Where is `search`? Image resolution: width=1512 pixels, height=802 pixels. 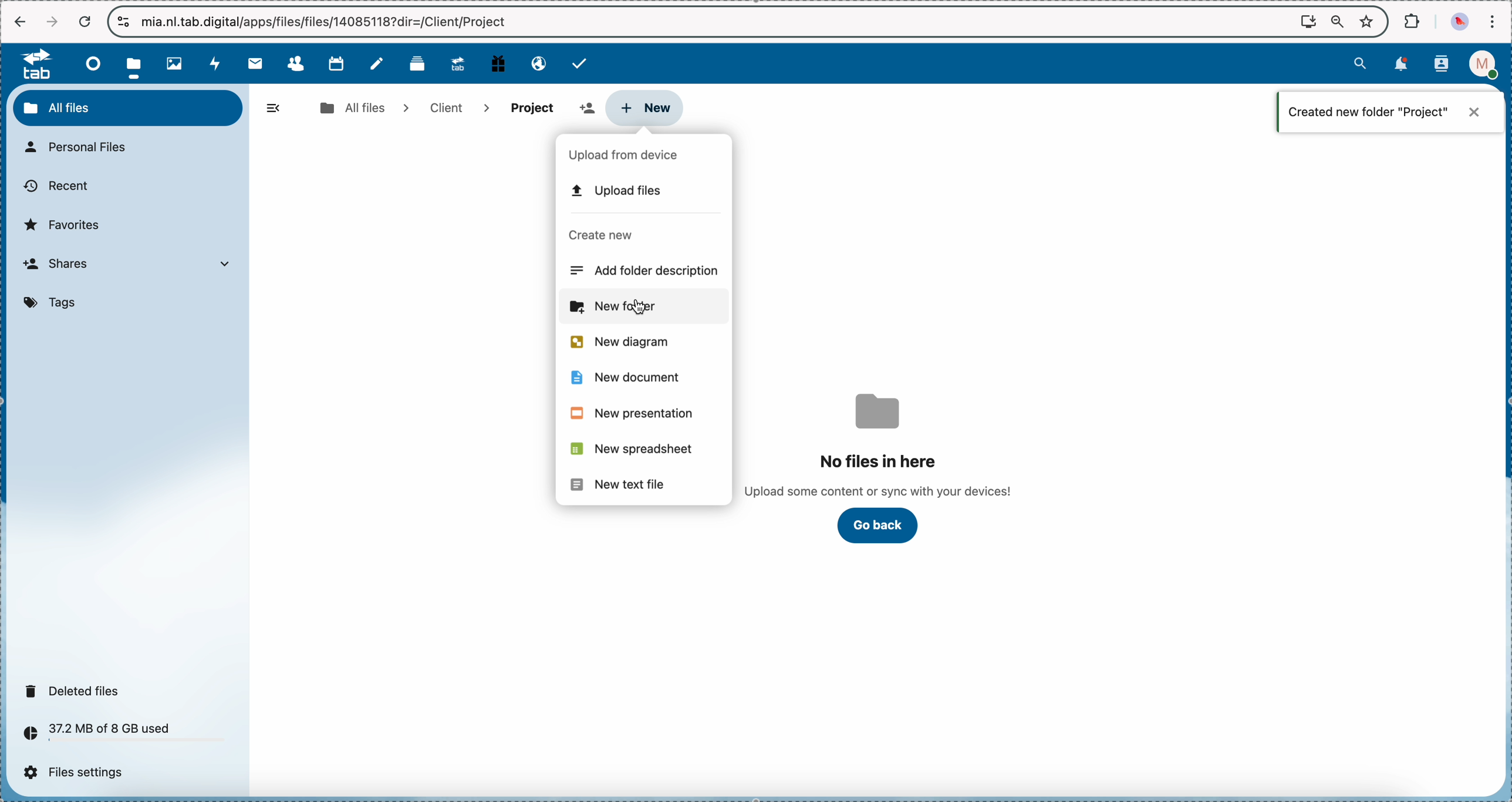 search is located at coordinates (1360, 62).